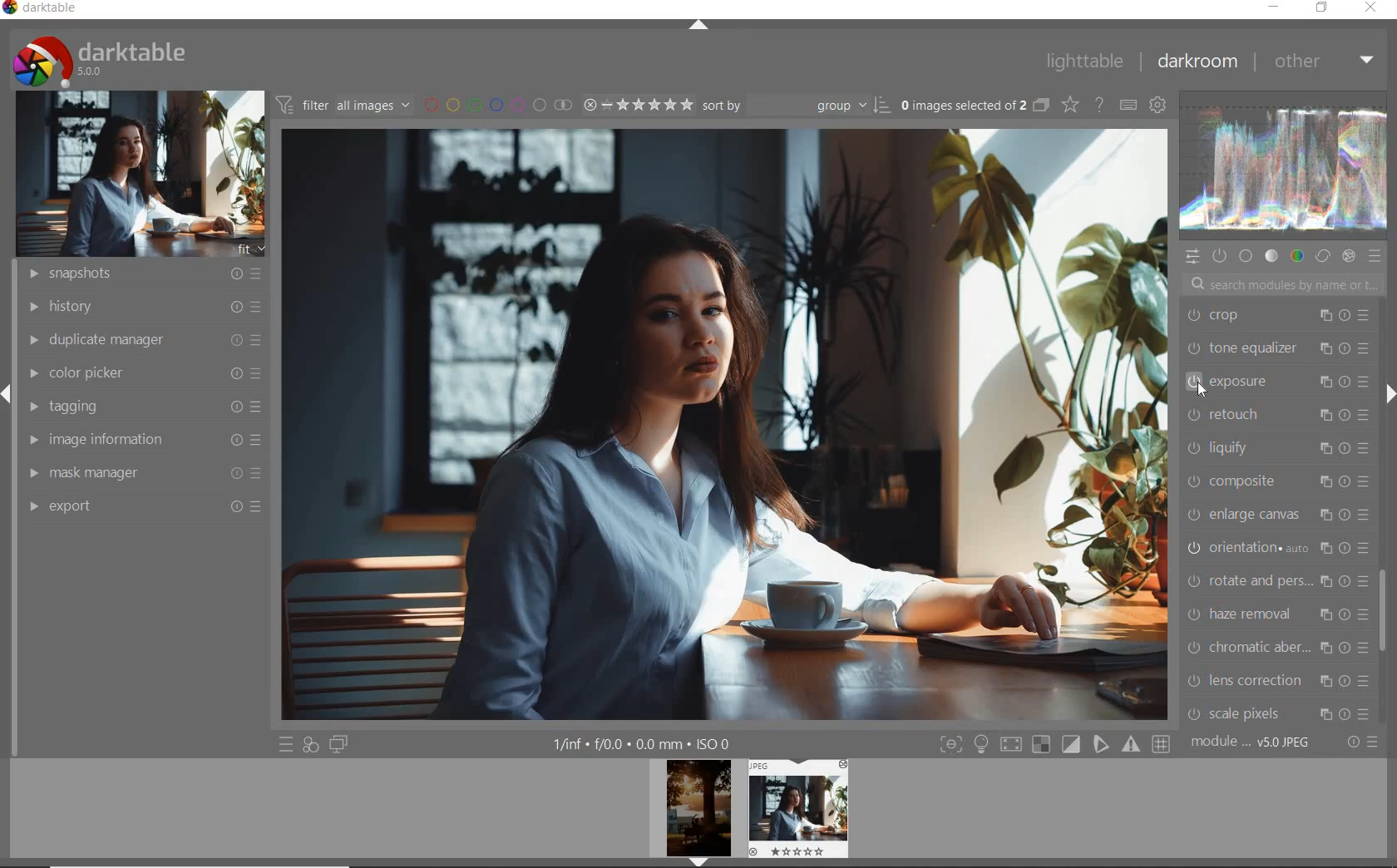 The height and width of the screenshot is (868, 1397). Describe the element at coordinates (1386, 608) in the screenshot. I see `SCROLLBAR` at that location.